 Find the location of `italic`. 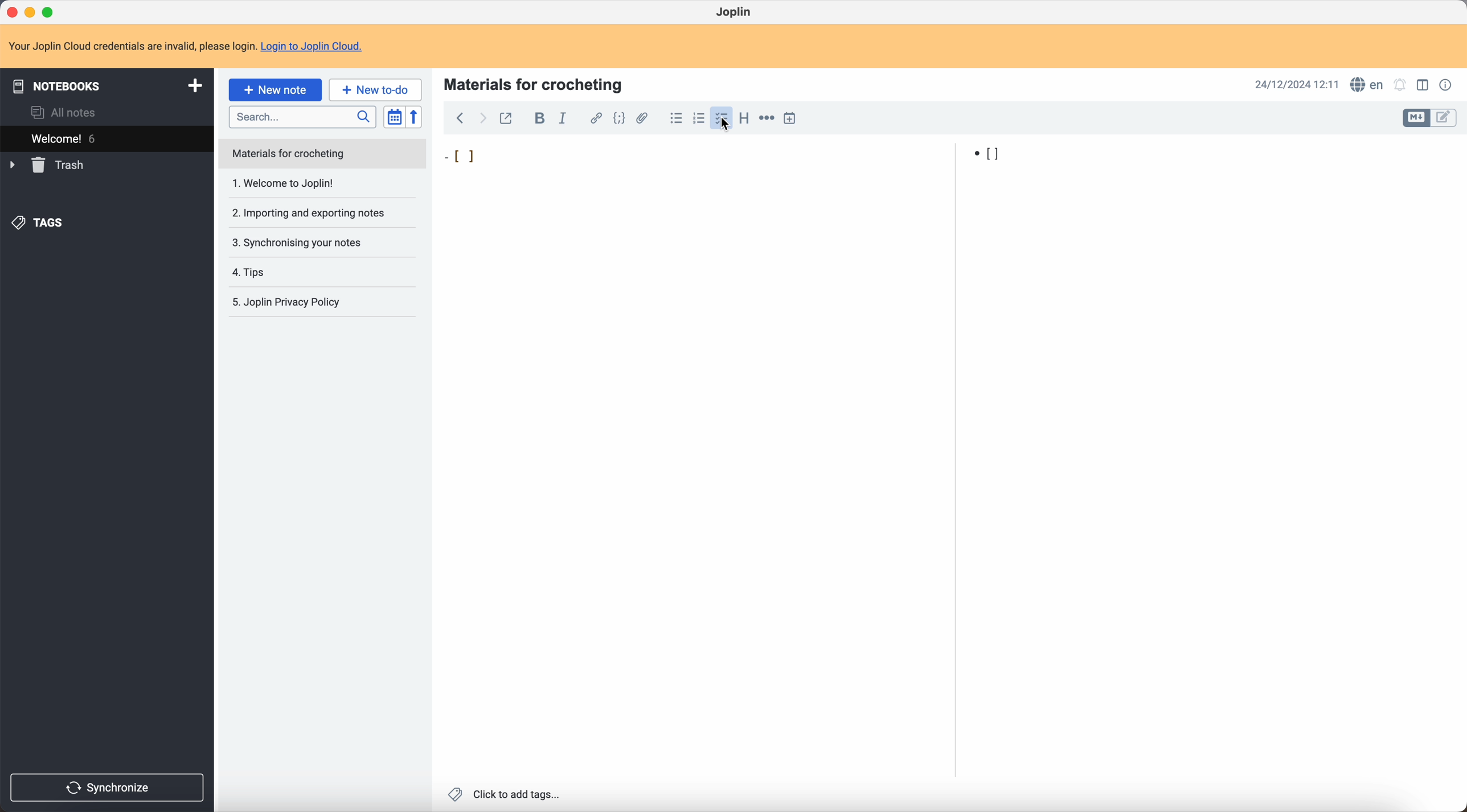

italic is located at coordinates (565, 118).